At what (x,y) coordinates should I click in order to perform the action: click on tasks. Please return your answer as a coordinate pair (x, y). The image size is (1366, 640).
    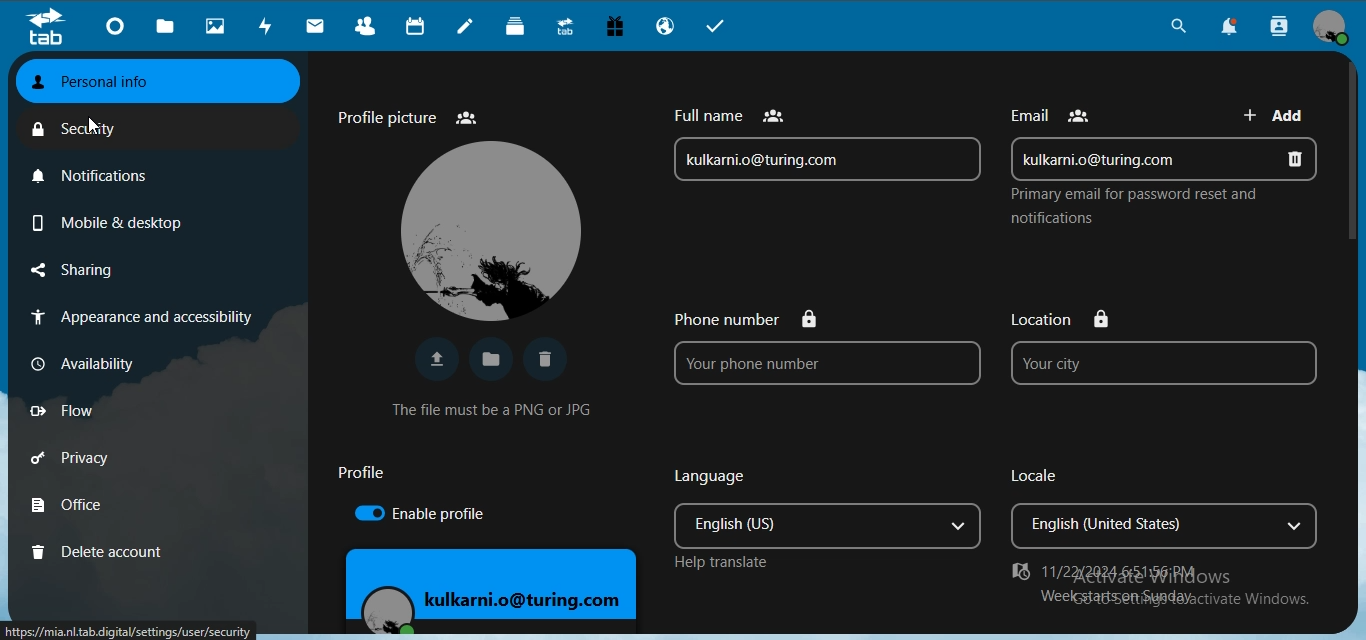
    Looking at the image, I should click on (723, 28).